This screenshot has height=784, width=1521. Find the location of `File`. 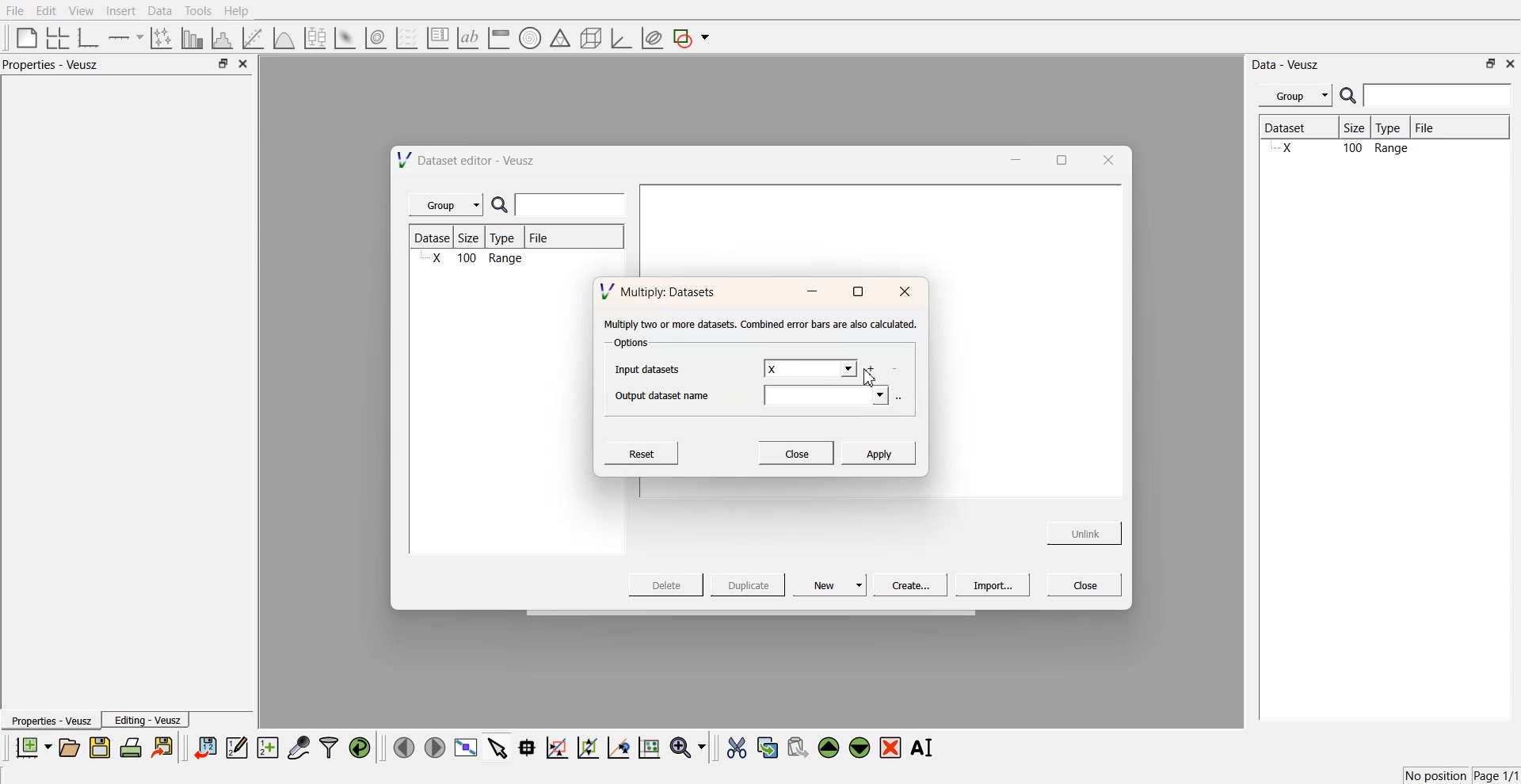

File is located at coordinates (1439, 127).